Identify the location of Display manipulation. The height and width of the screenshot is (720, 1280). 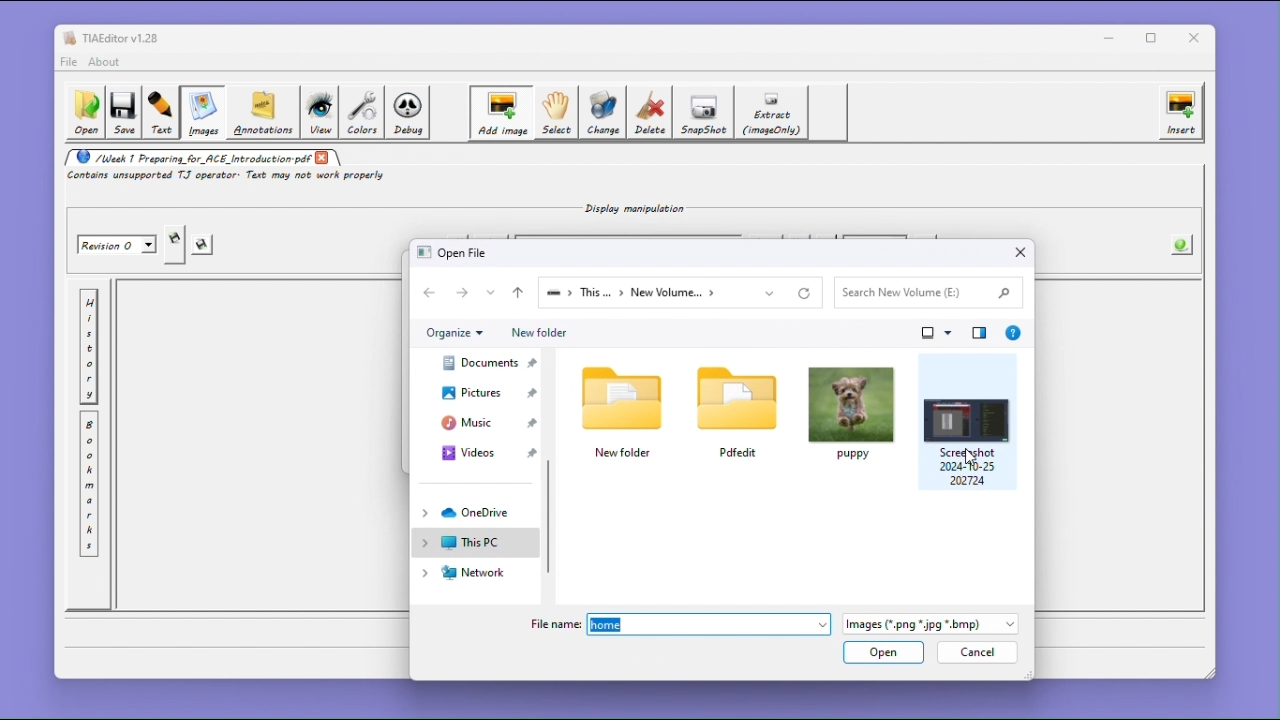
(629, 207).